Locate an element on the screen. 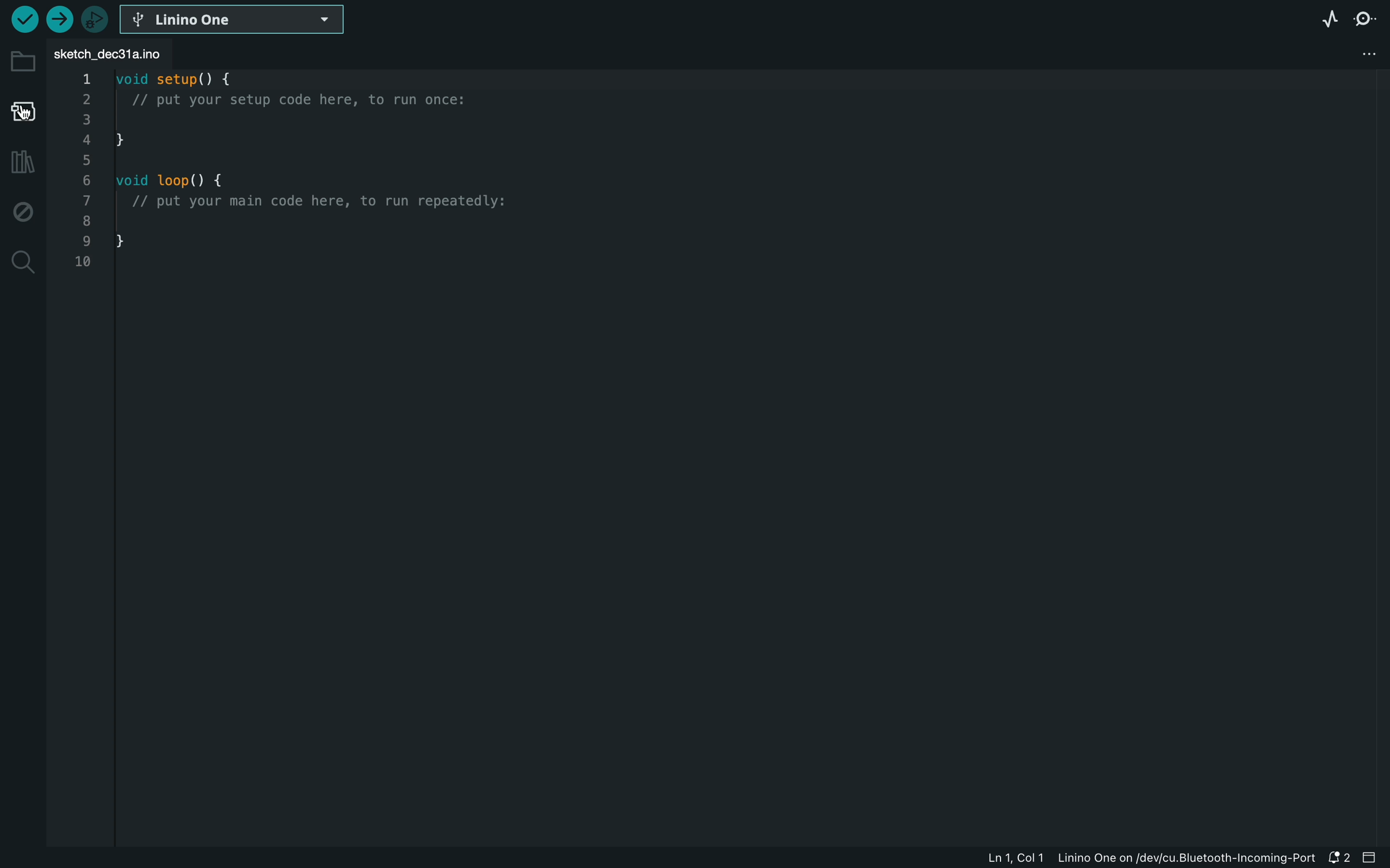 This screenshot has width=1390, height=868. serial plotter is located at coordinates (1330, 21).